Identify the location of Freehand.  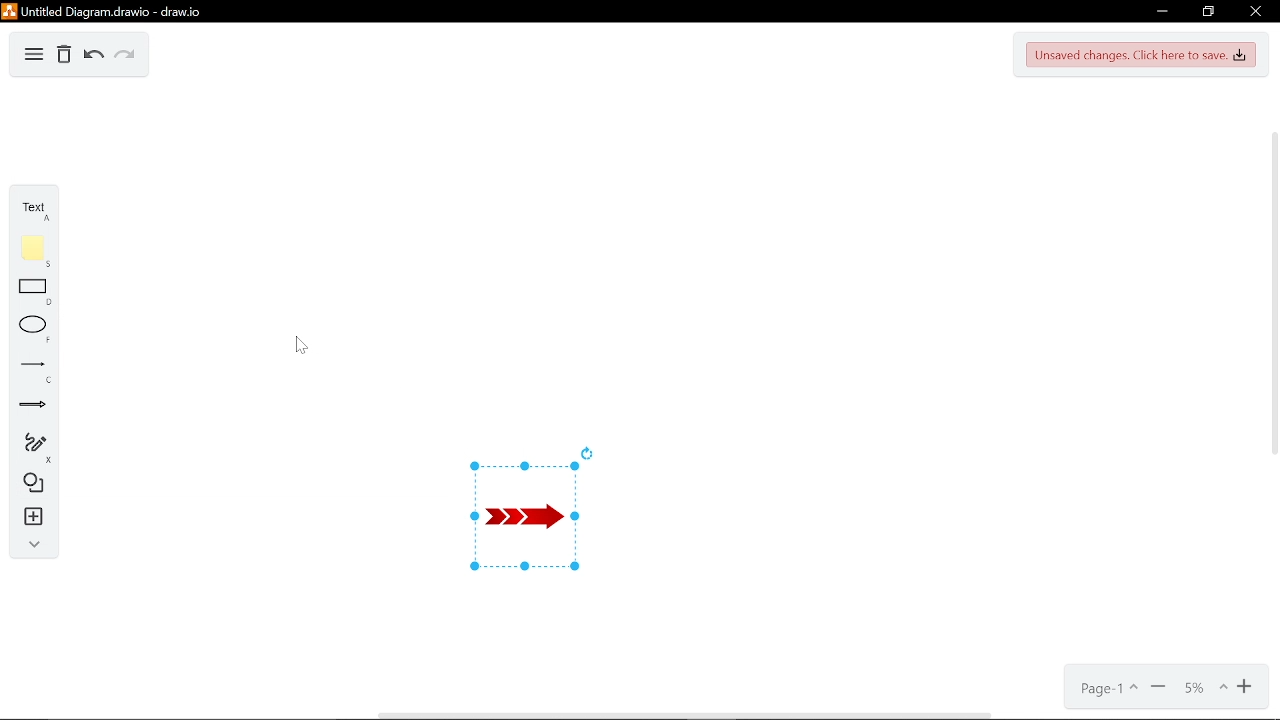
(28, 446).